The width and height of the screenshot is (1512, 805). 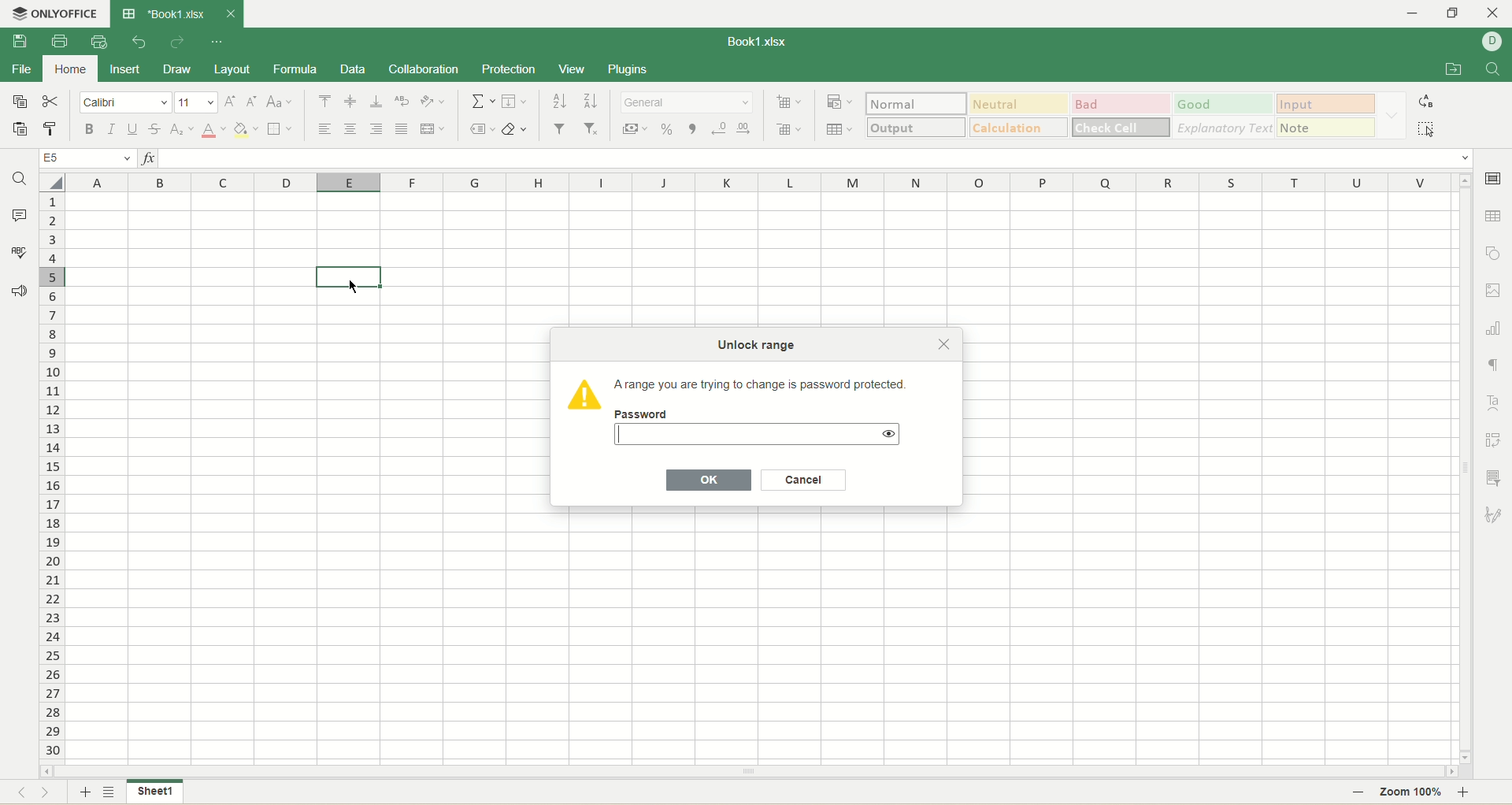 I want to click on align right, so click(x=379, y=128).